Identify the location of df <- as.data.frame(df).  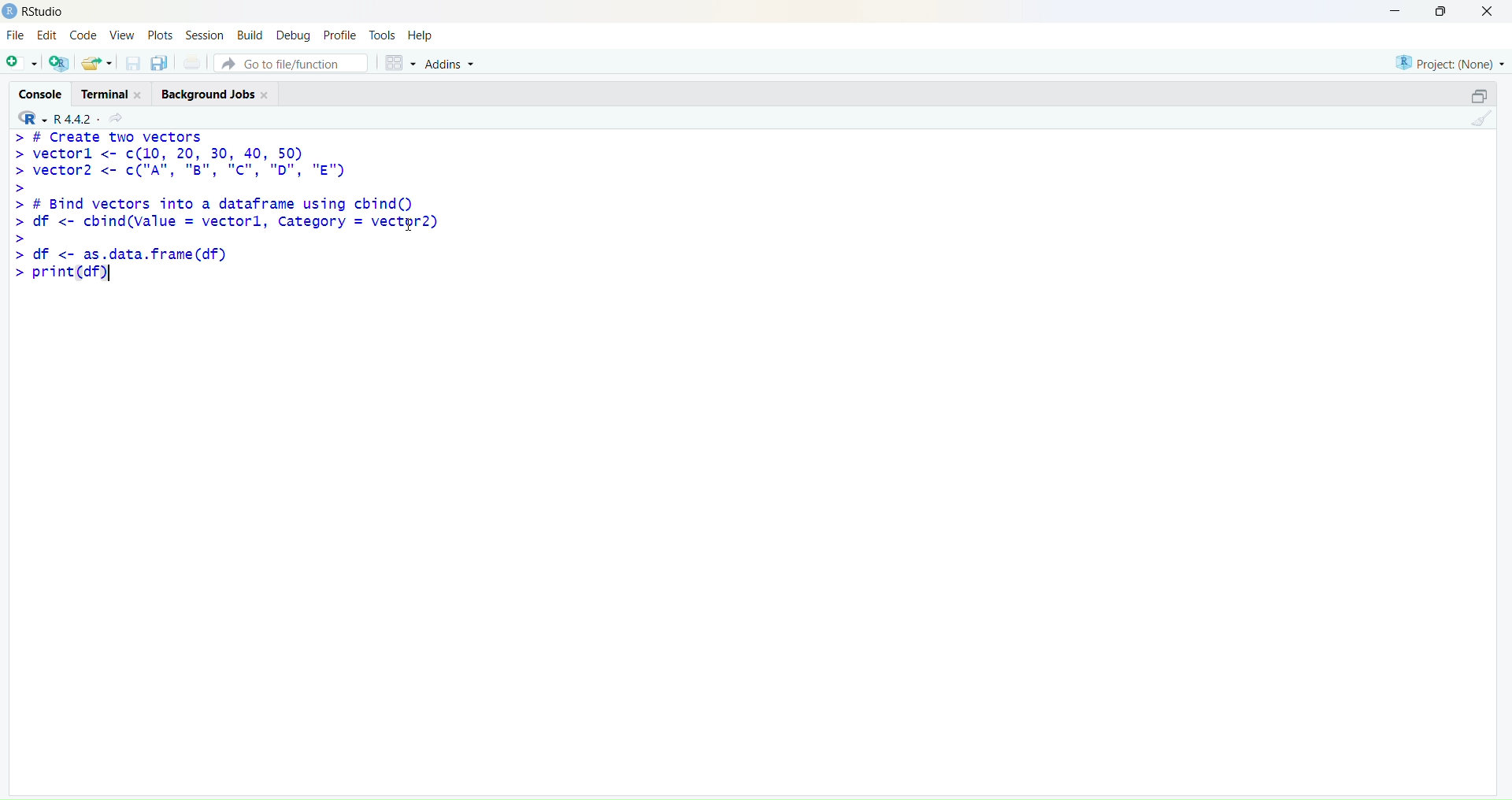
(119, 254).